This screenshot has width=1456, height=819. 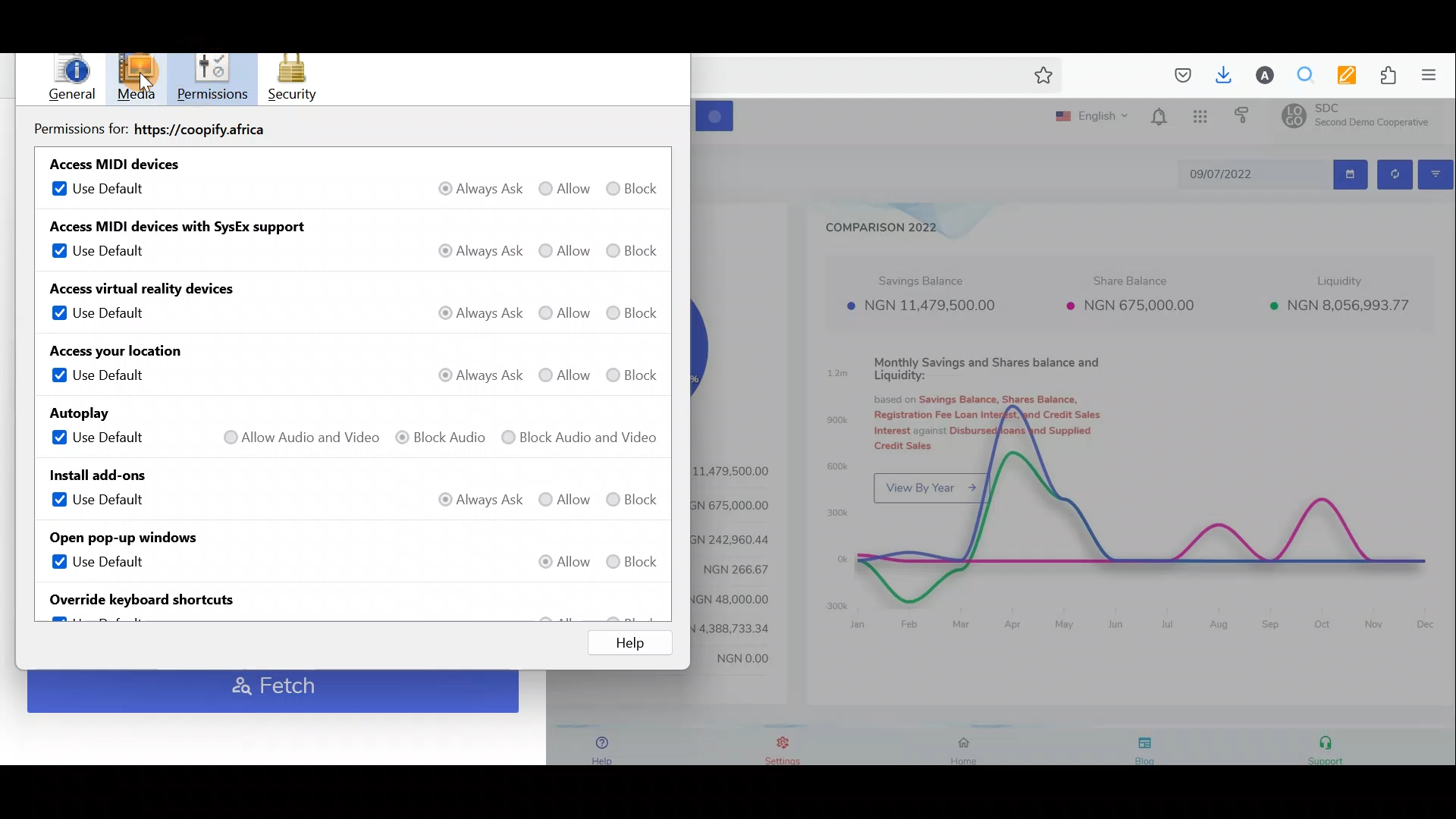 What do you see at coordinates (480, 312) in the screenshot?
I see `` at bounding box center [480, 312].